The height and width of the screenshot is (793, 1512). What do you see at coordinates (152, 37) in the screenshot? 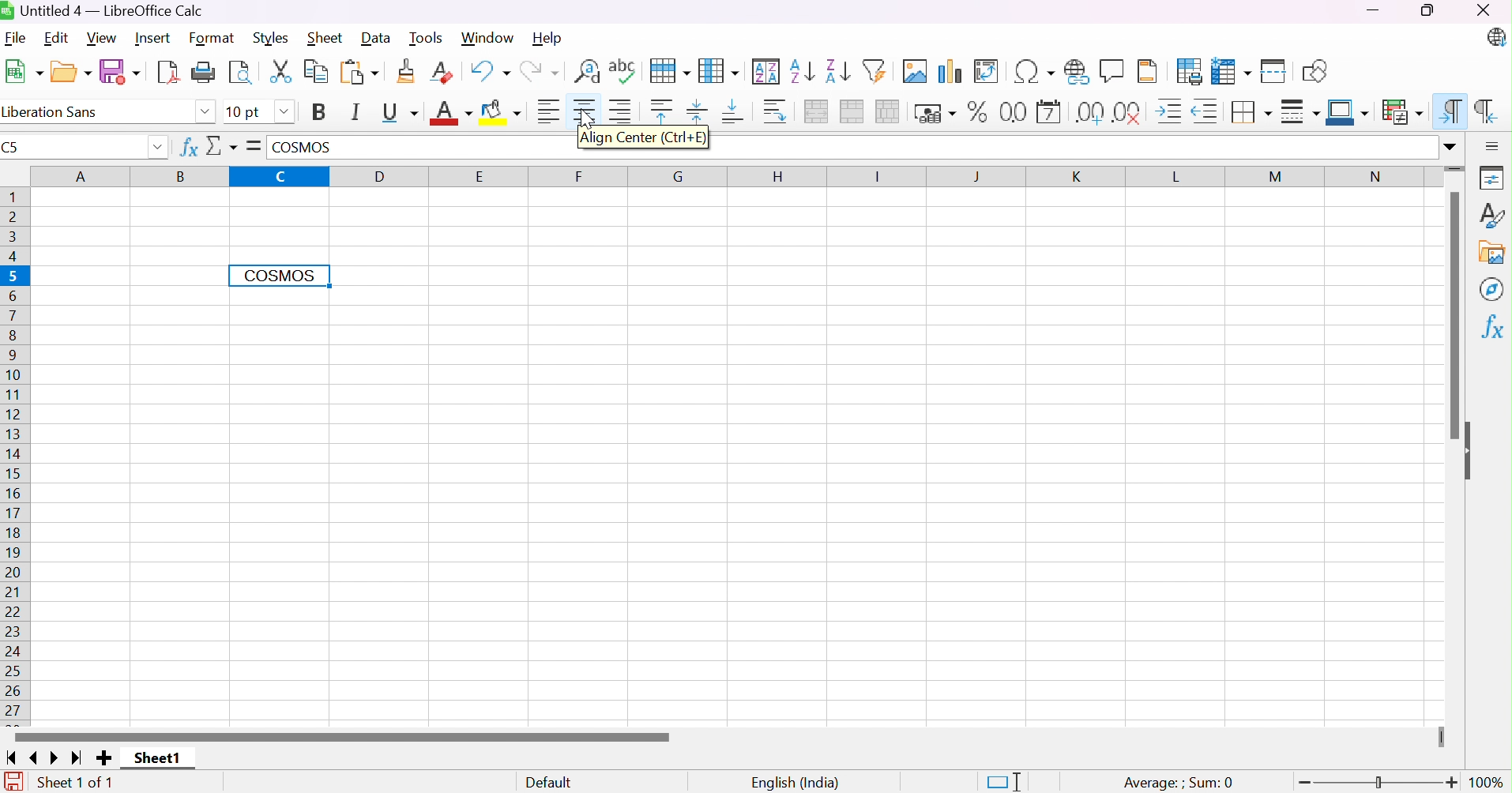
I see `Insert` at bounding box center [152, 37].